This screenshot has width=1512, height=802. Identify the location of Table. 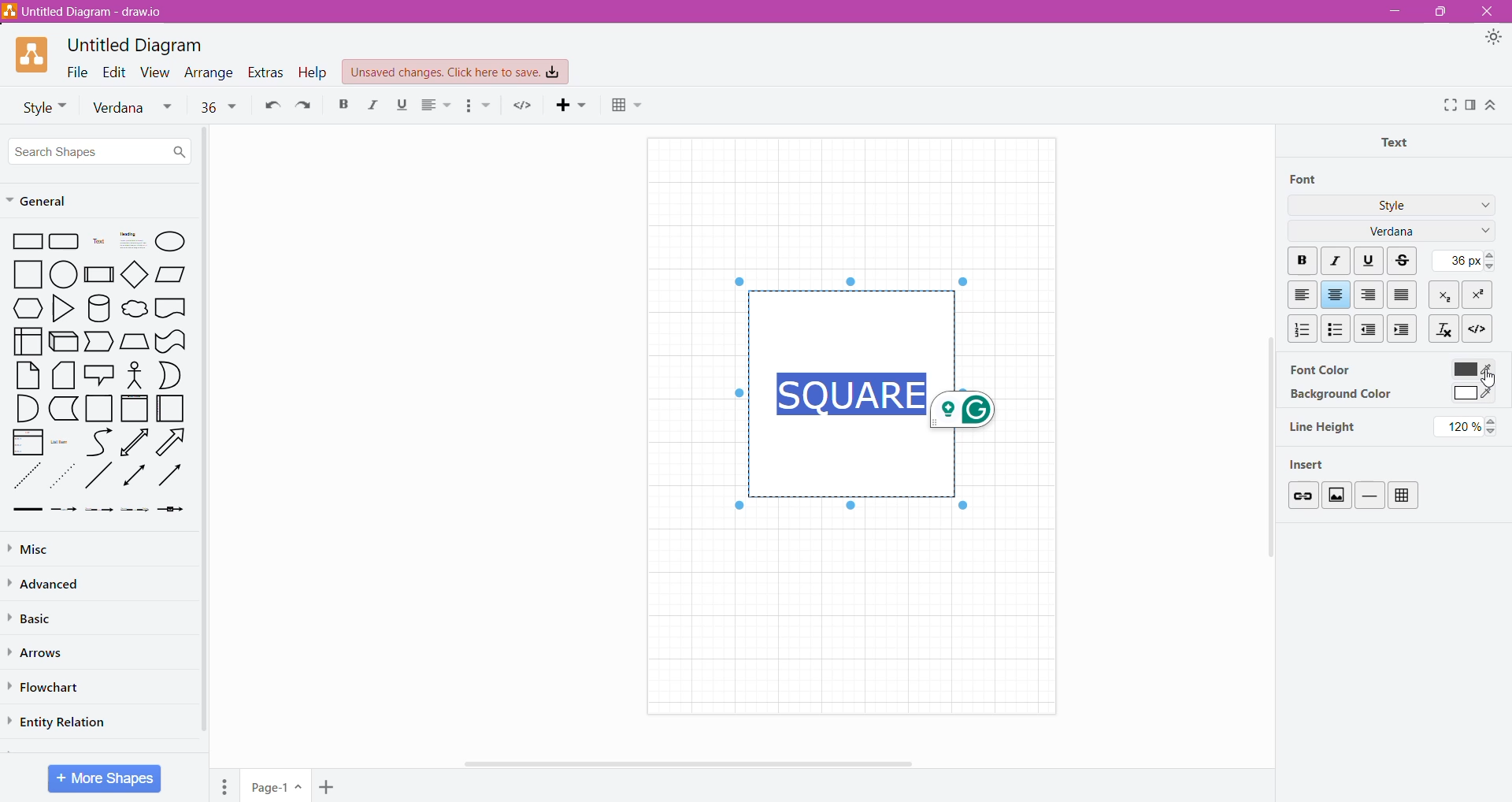
(1403, 496).